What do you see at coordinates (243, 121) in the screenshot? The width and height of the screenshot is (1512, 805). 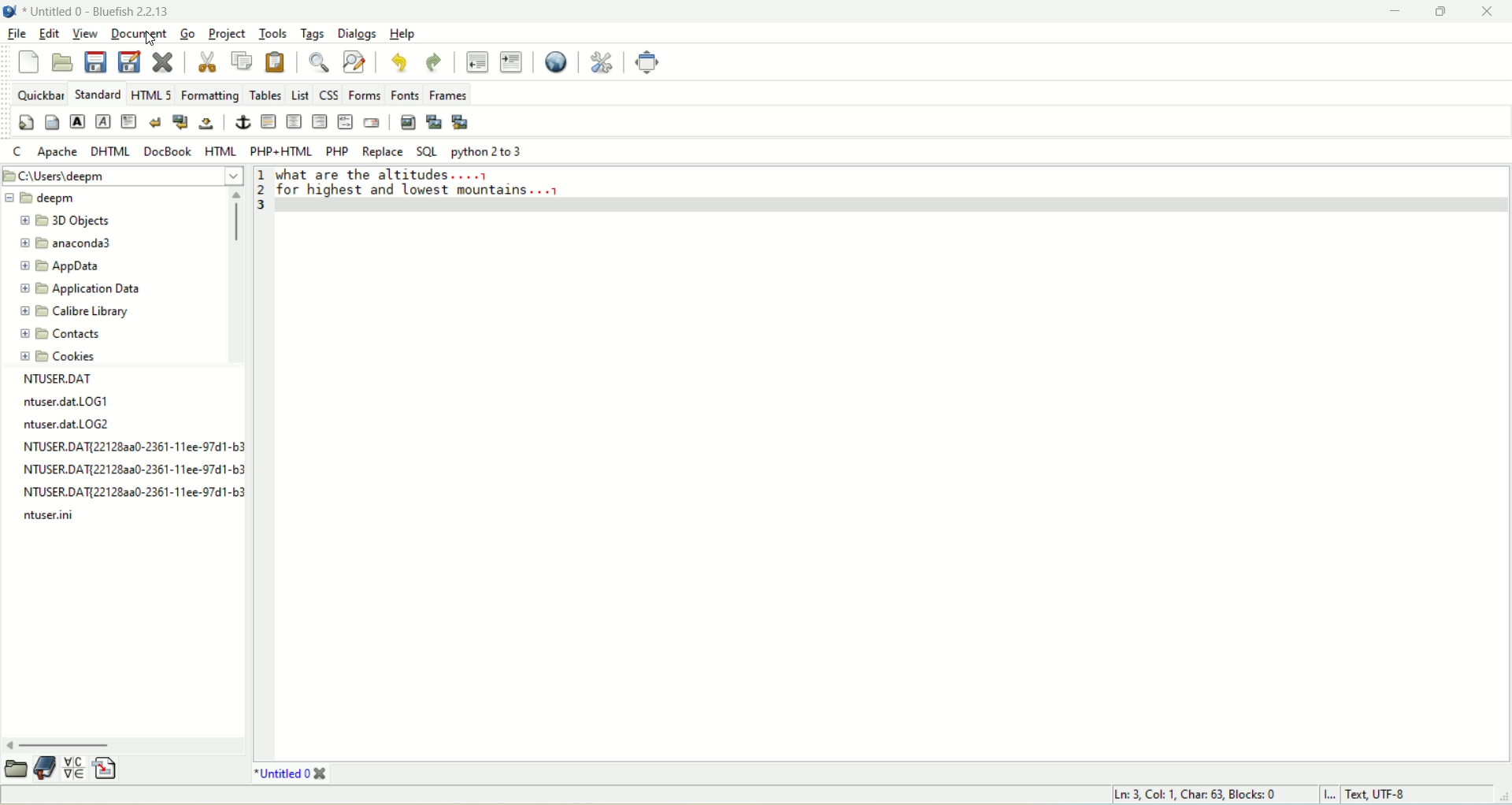 I see `anchor/hyperlink` at bounding box center [243, 121].